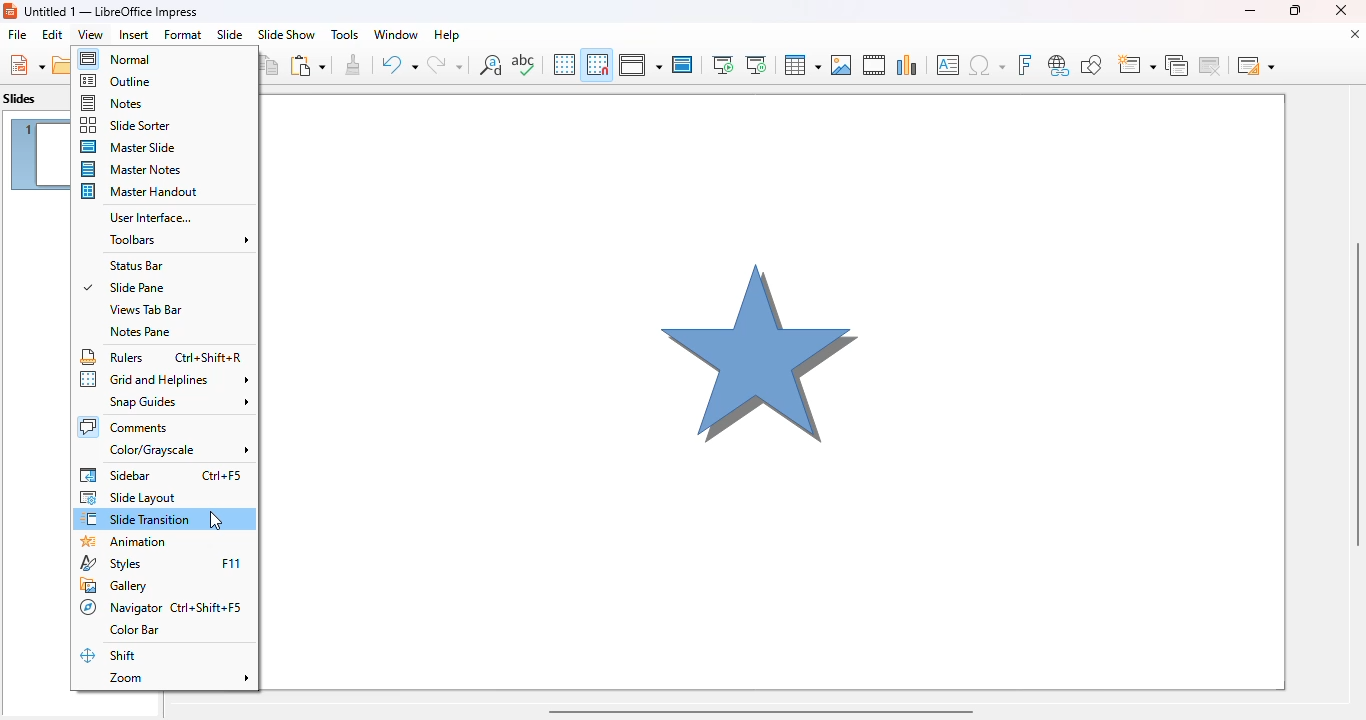 The height and width of the screenshot is (720, 1366). What do you see at coordinates (162, 607) in the screenshot?
I see `navigator` at bounding box center [162, 607].